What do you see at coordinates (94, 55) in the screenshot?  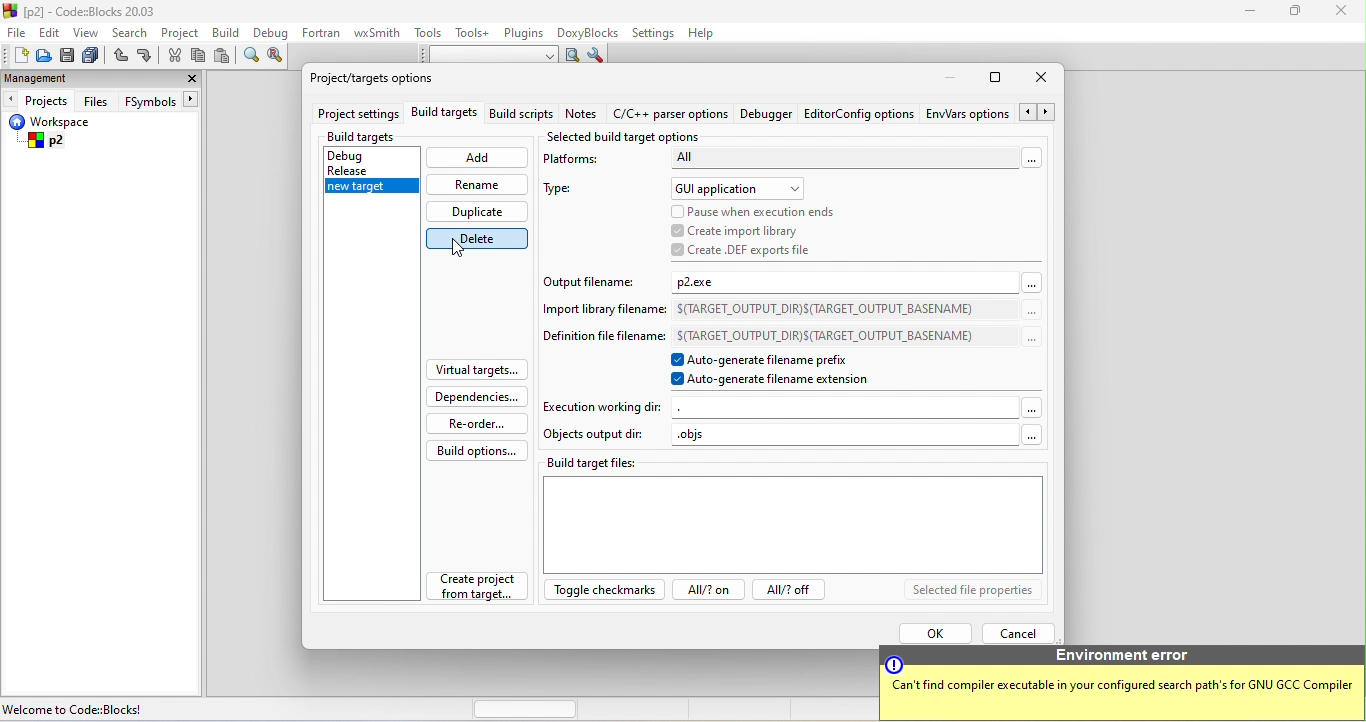 I see `save everything` at bounding box center [94, 55].